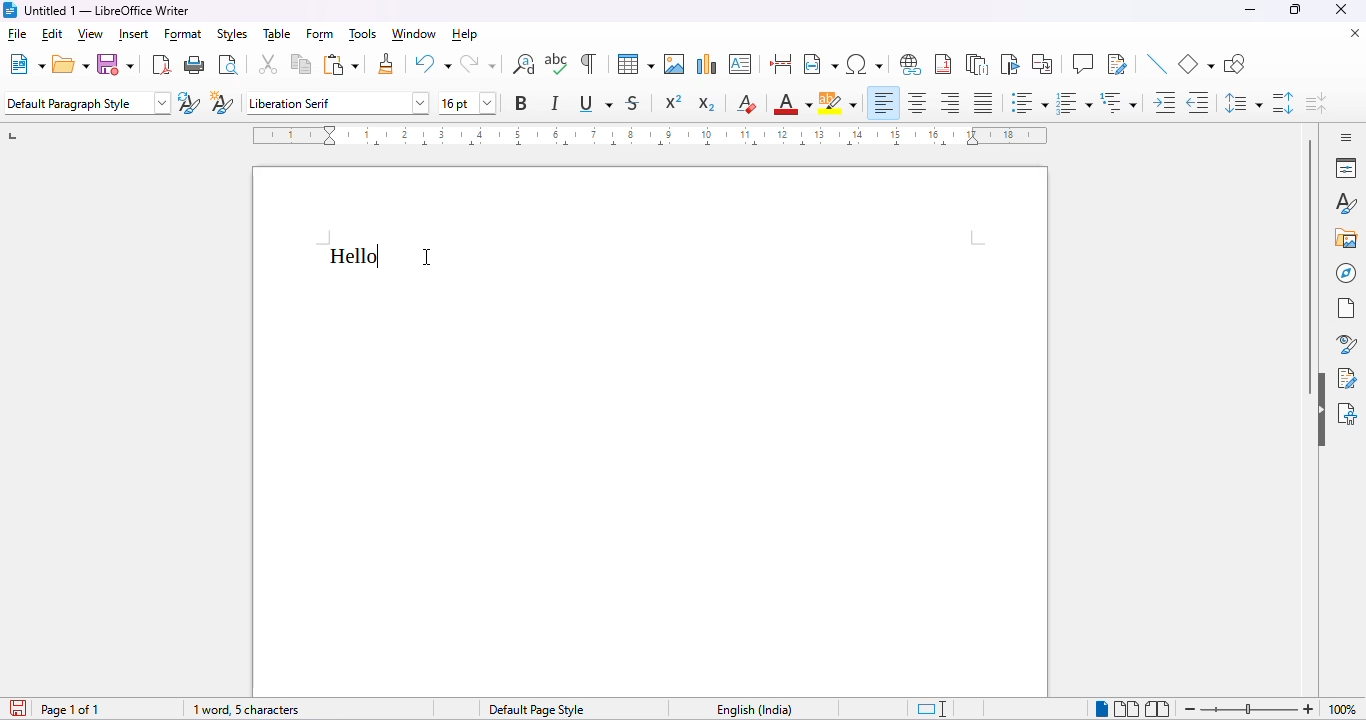 The height and width of the screenshot is (720, 1366). What do you see at coordinates (269, 65) in the screenshot?
I see `cut` at bounding box center [269, 65].